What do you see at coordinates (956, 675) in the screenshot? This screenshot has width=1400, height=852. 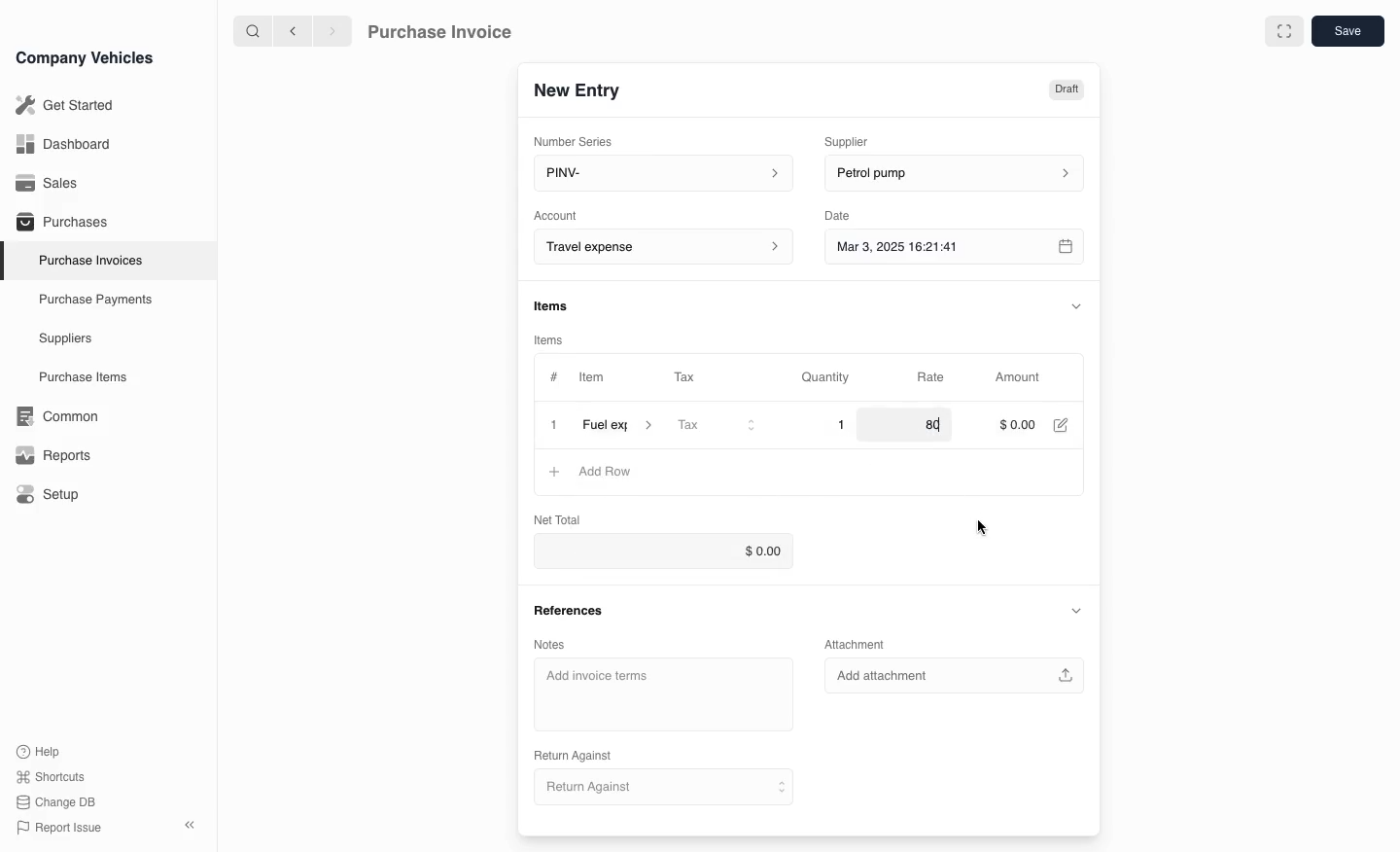 I see `Add attachment` at bounding box center [956, 675].